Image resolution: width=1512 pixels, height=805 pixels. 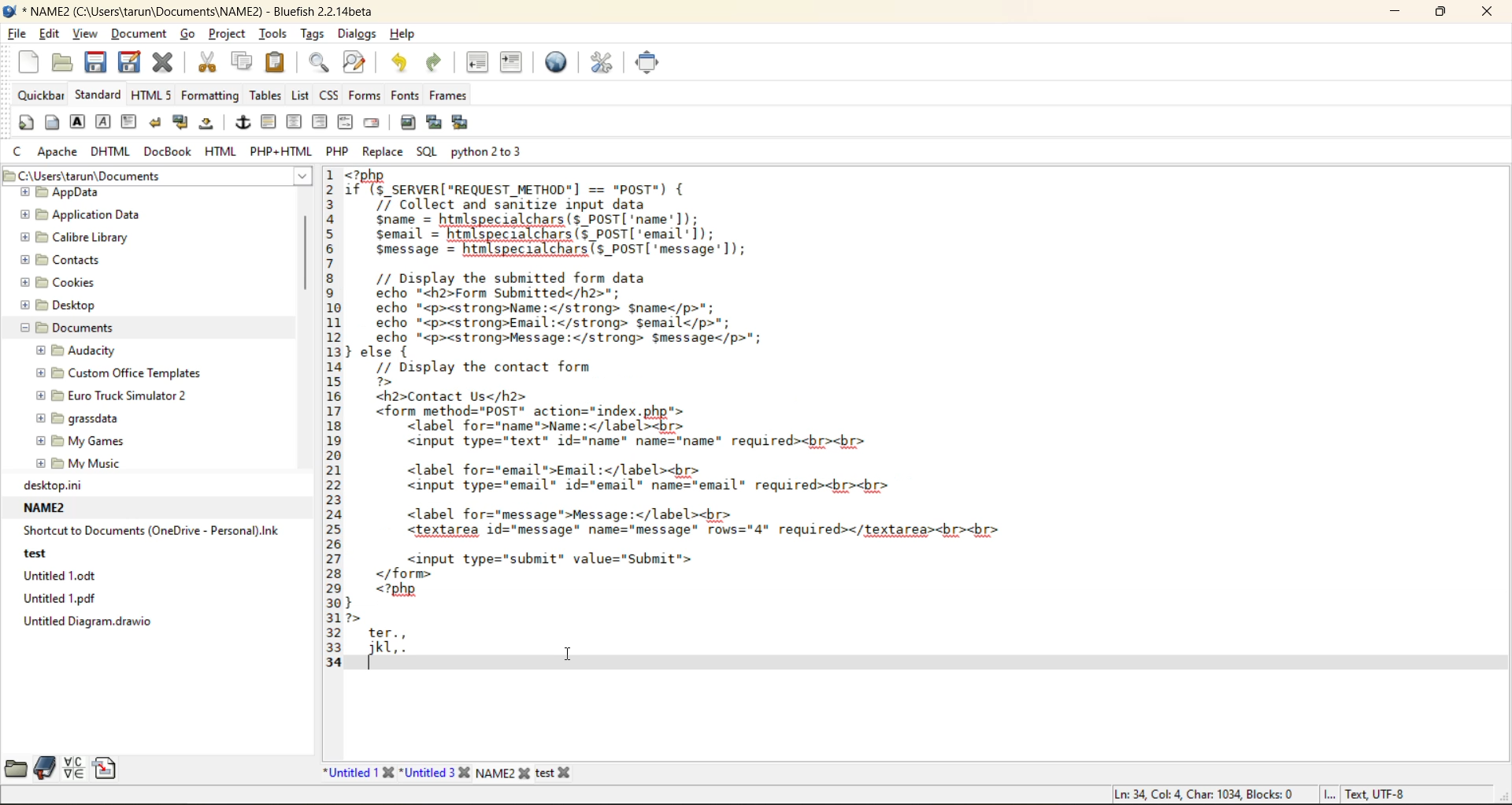 I want to click on project, so click(x=225, y=32).